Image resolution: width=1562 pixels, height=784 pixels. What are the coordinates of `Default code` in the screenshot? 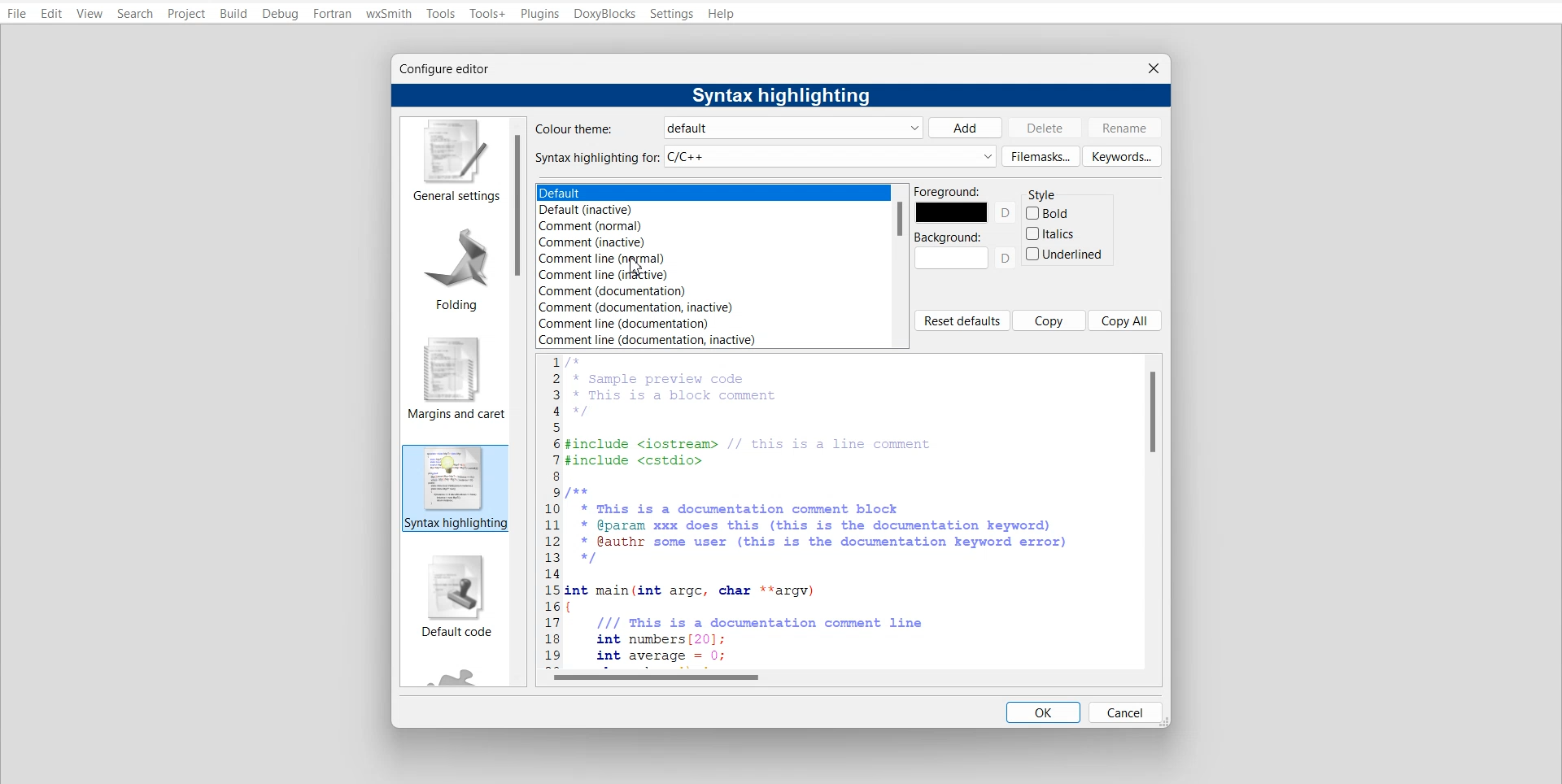 It's located at (452, 597).